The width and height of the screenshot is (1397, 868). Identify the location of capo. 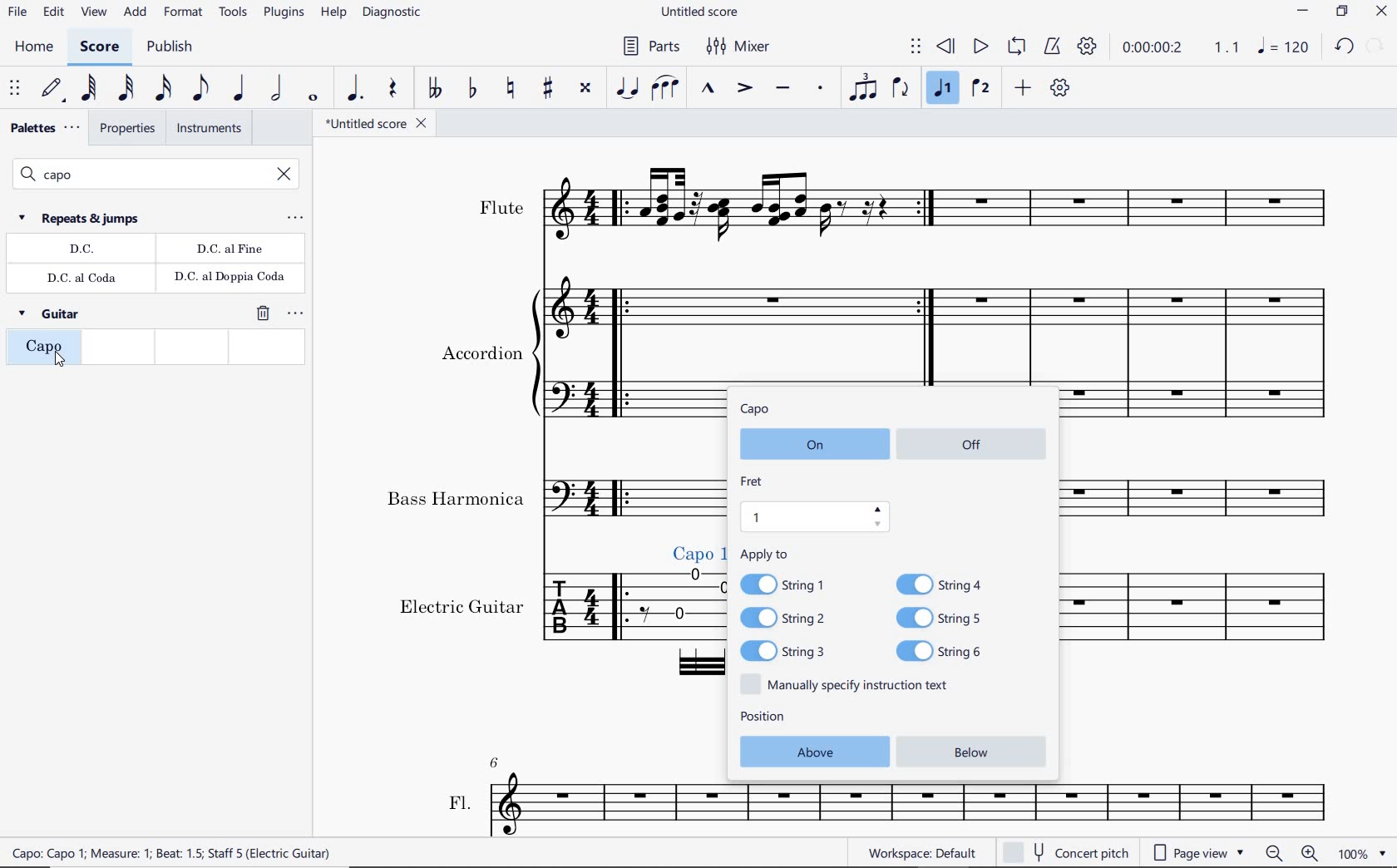
(42, 351).